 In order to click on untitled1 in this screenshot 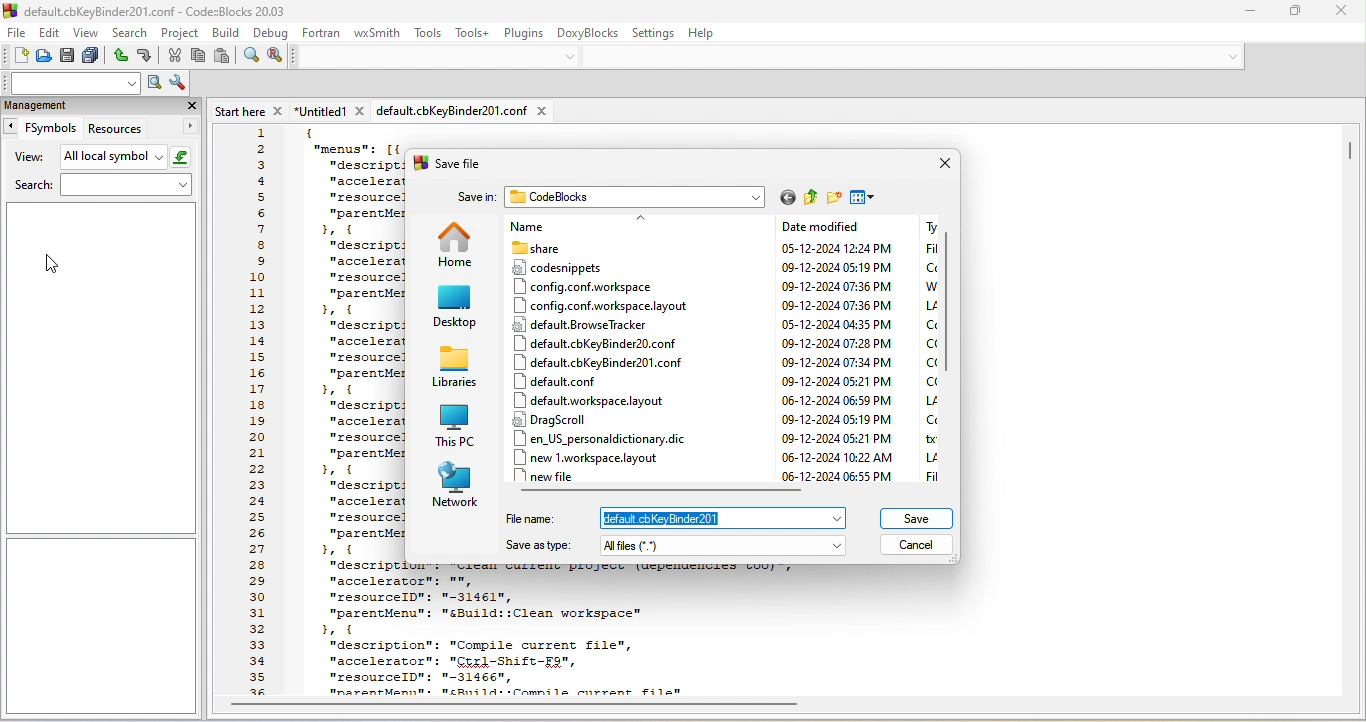, I will do `click(332, 111)`.